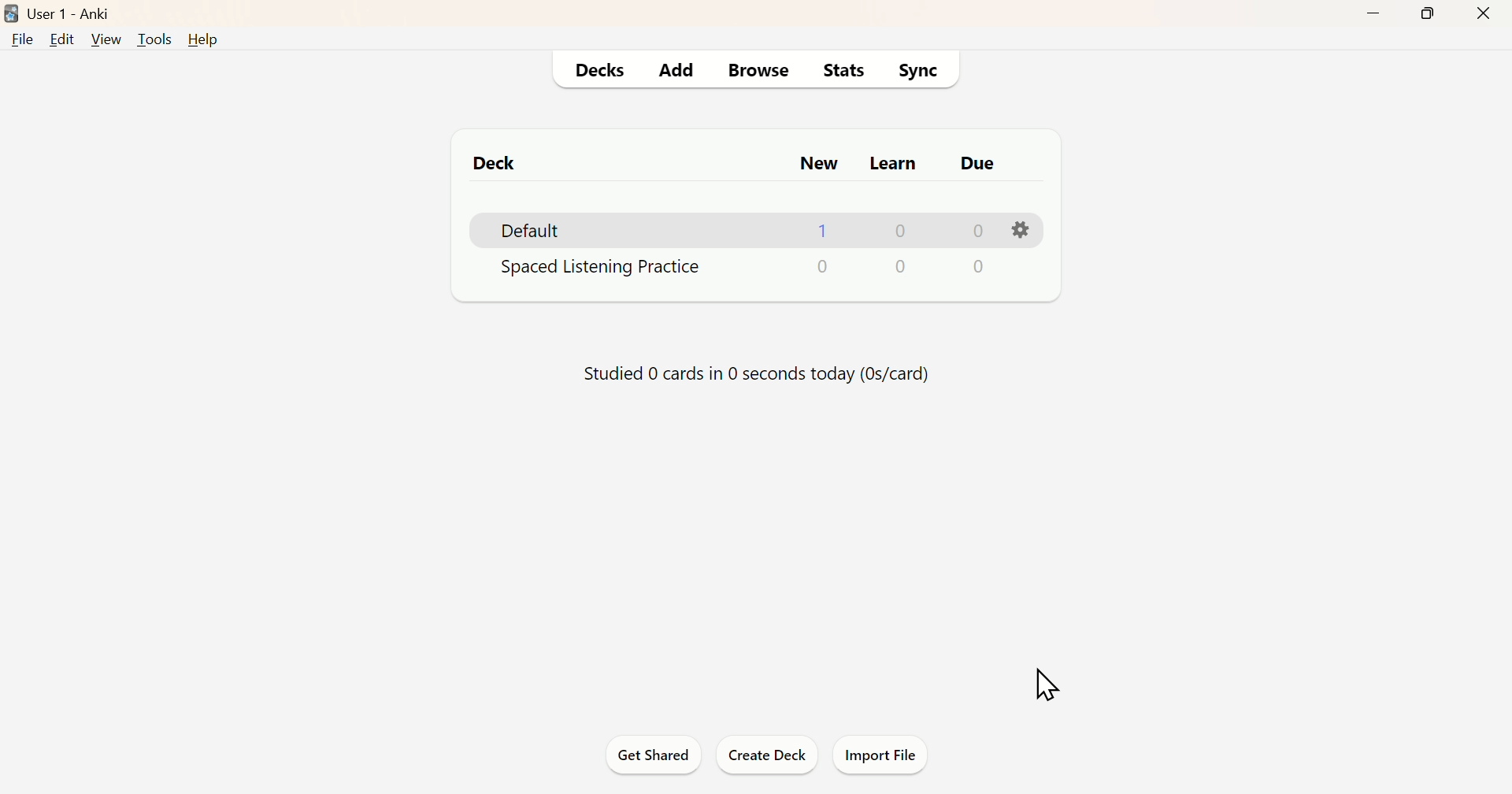 Image resolution: width=1512 pixels, height=794 pixels. I want to click on 0, so click(899, 230).